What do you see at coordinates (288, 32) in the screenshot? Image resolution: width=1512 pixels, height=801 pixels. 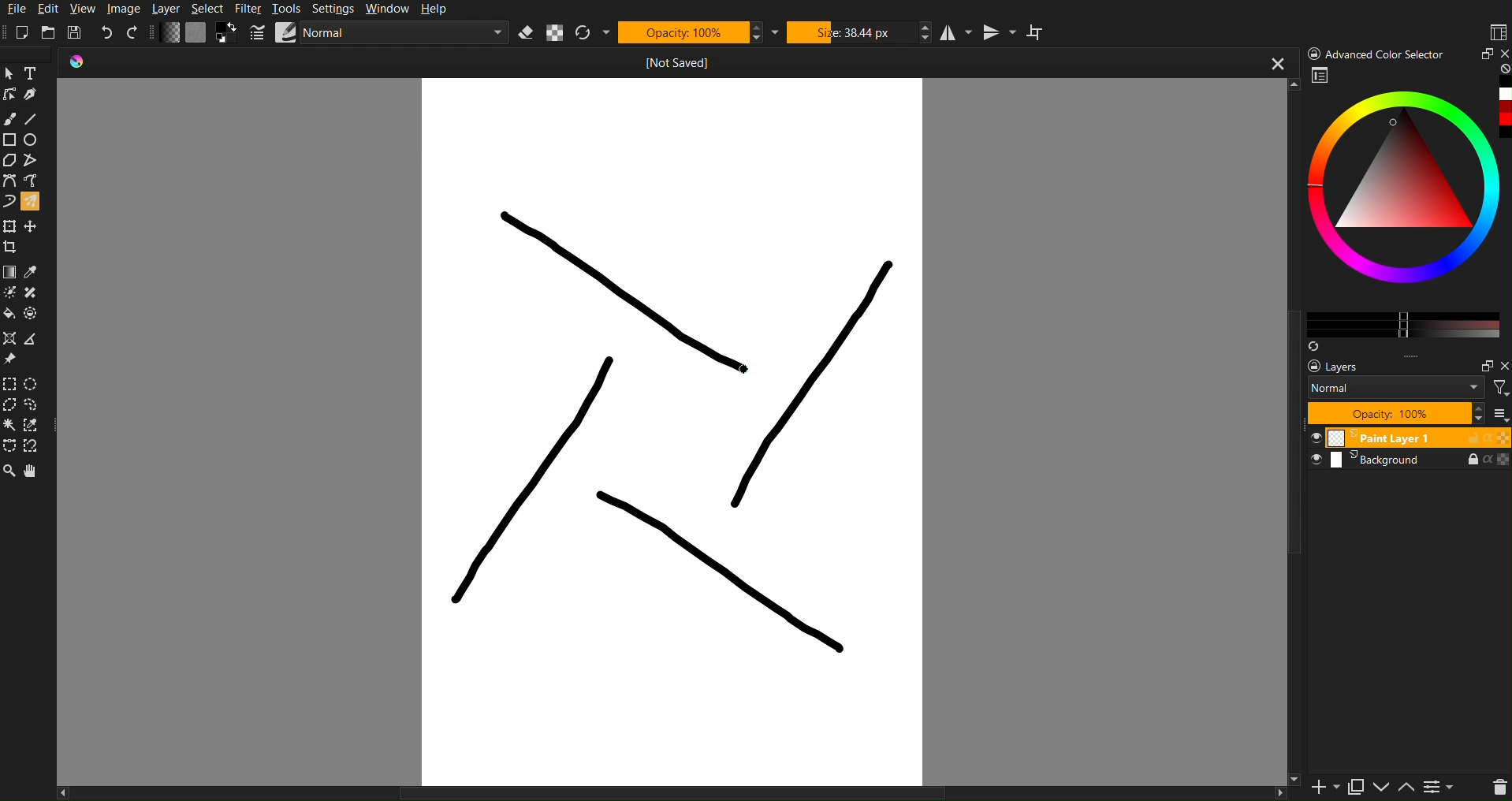 I see `Line Options` at bounding box center [288, 32].